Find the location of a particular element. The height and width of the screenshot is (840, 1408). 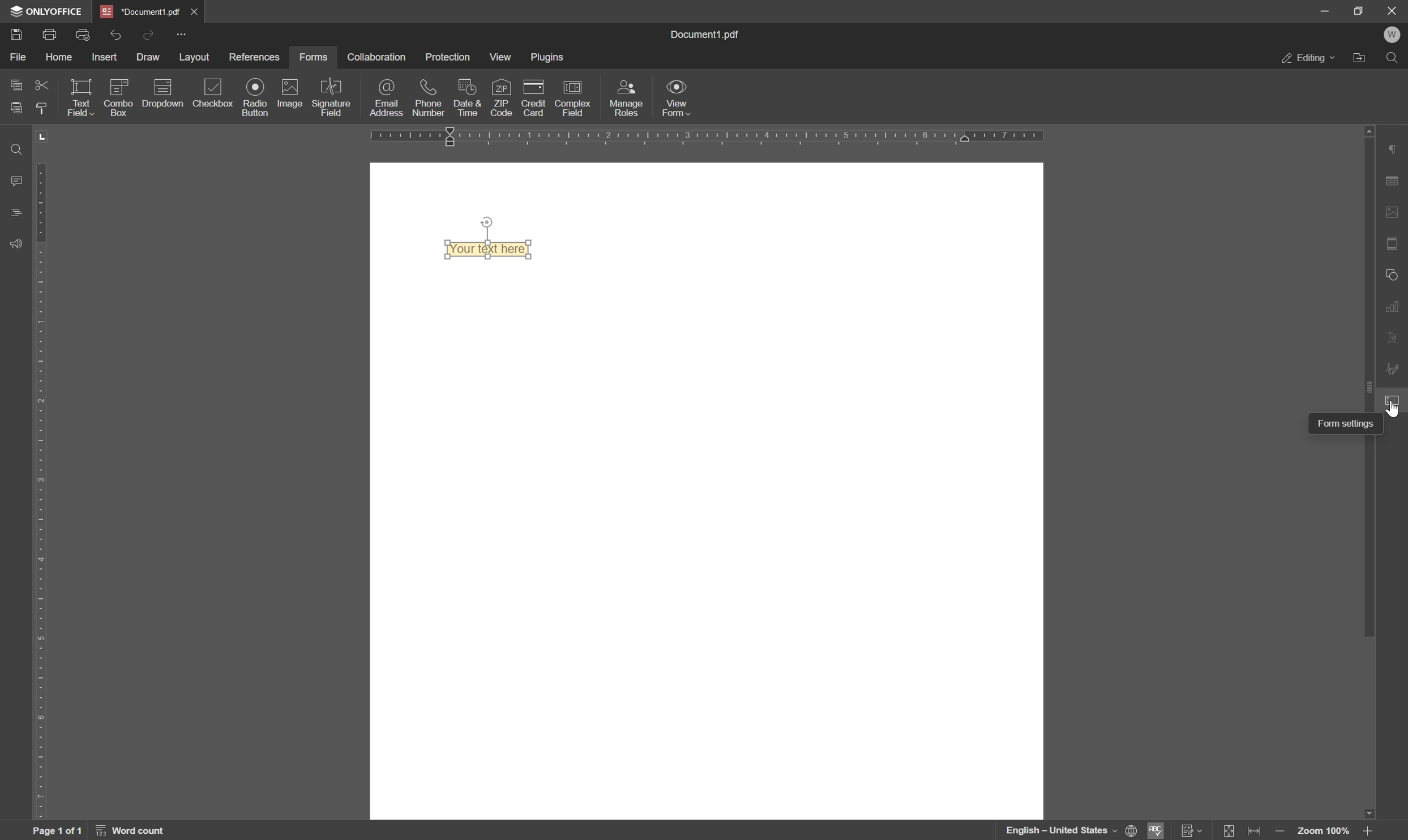

document1.pdf is located at coordinates (699, 33).